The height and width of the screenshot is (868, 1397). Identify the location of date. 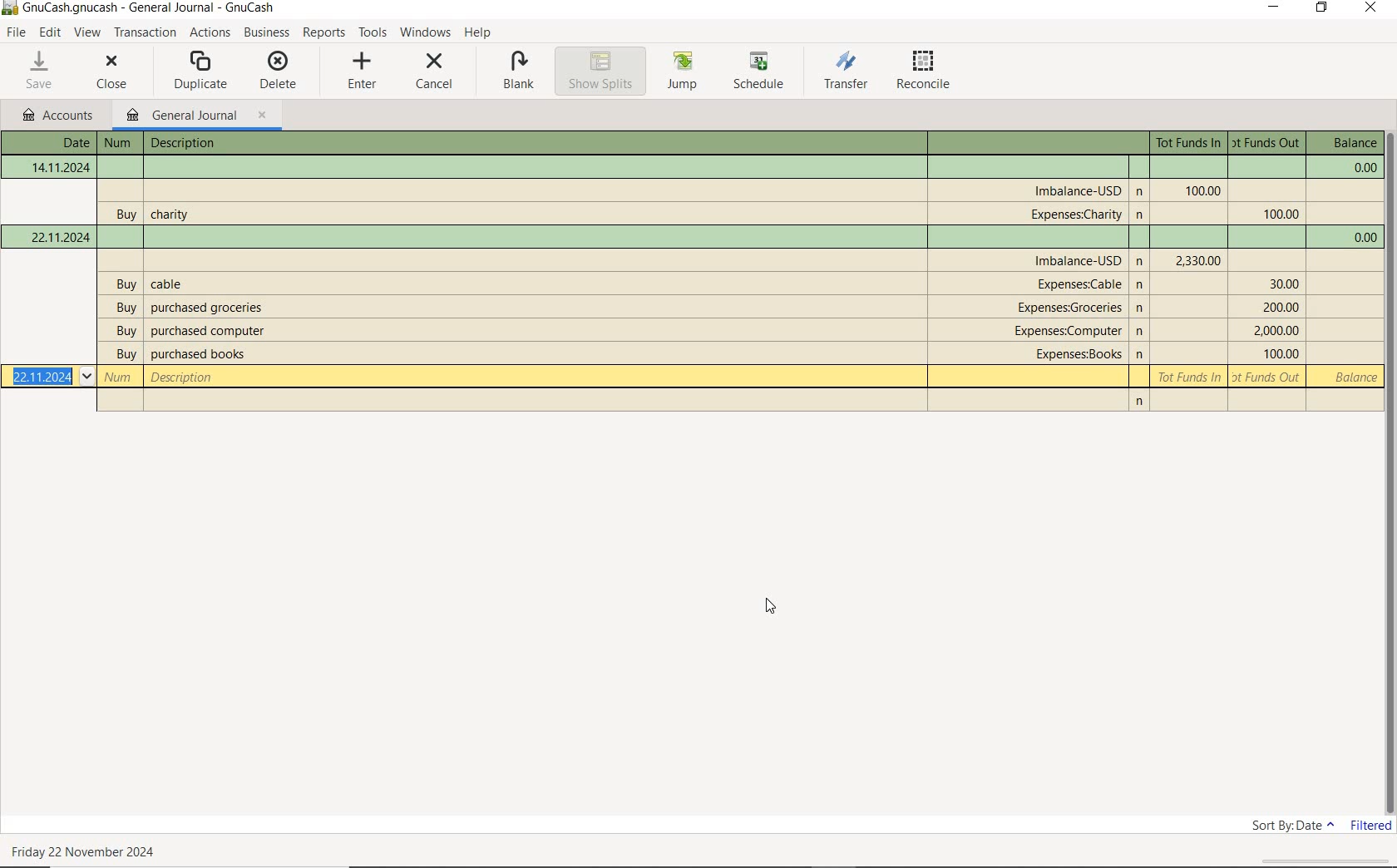
(85, 851).